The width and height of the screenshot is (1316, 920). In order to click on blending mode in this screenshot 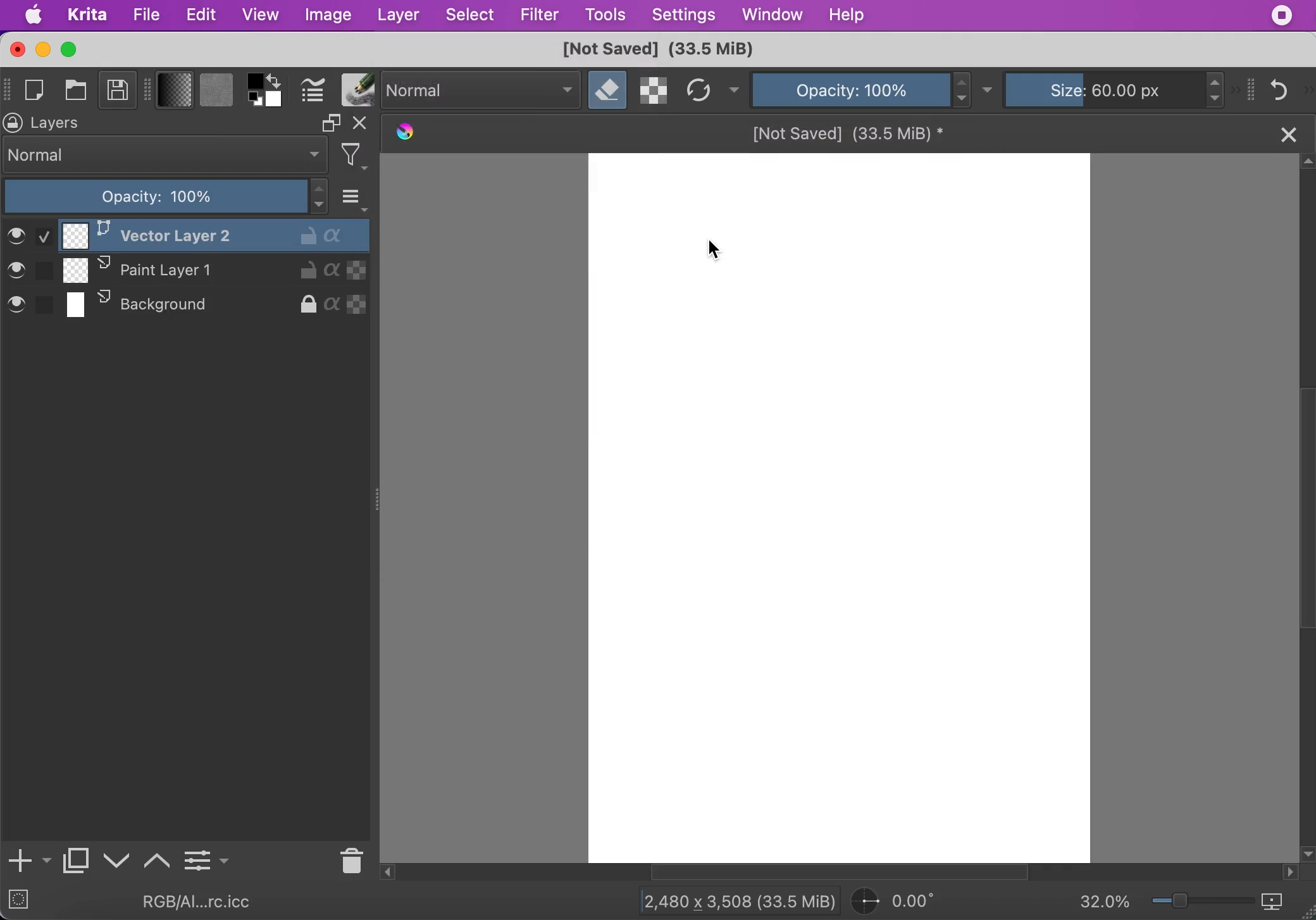, I will do `click(482, 90)`.